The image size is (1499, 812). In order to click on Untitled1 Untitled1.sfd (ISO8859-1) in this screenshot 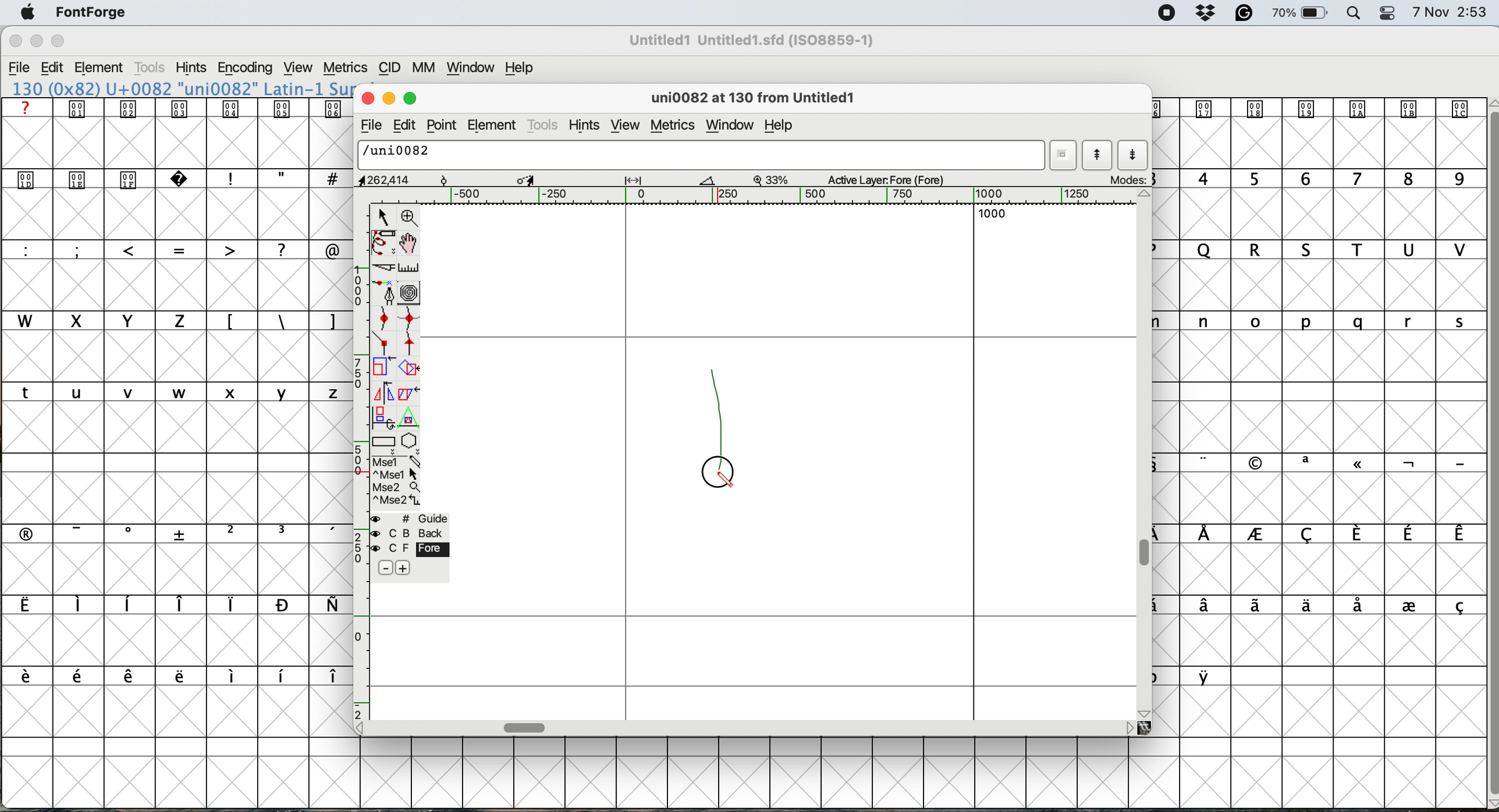, I will do `click(755, 40)`.